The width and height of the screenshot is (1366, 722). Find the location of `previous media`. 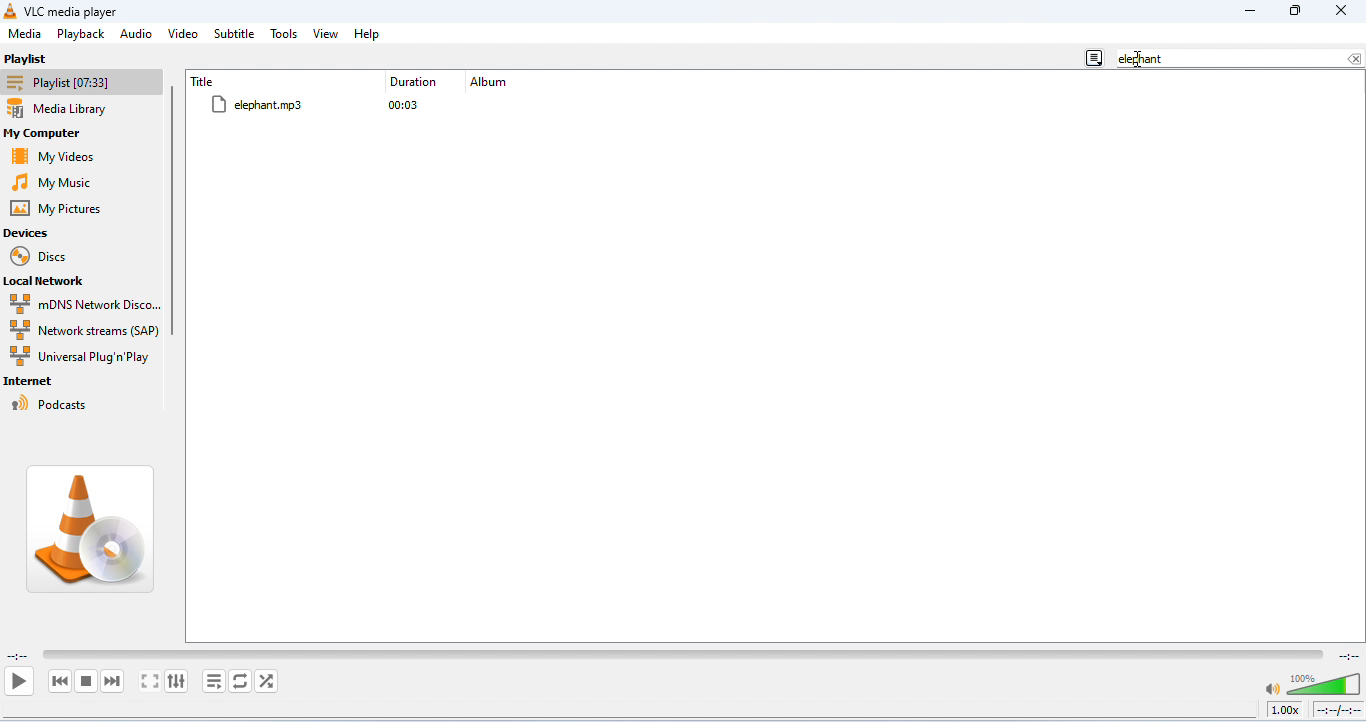

previous media is located at coordinates (61, 682).